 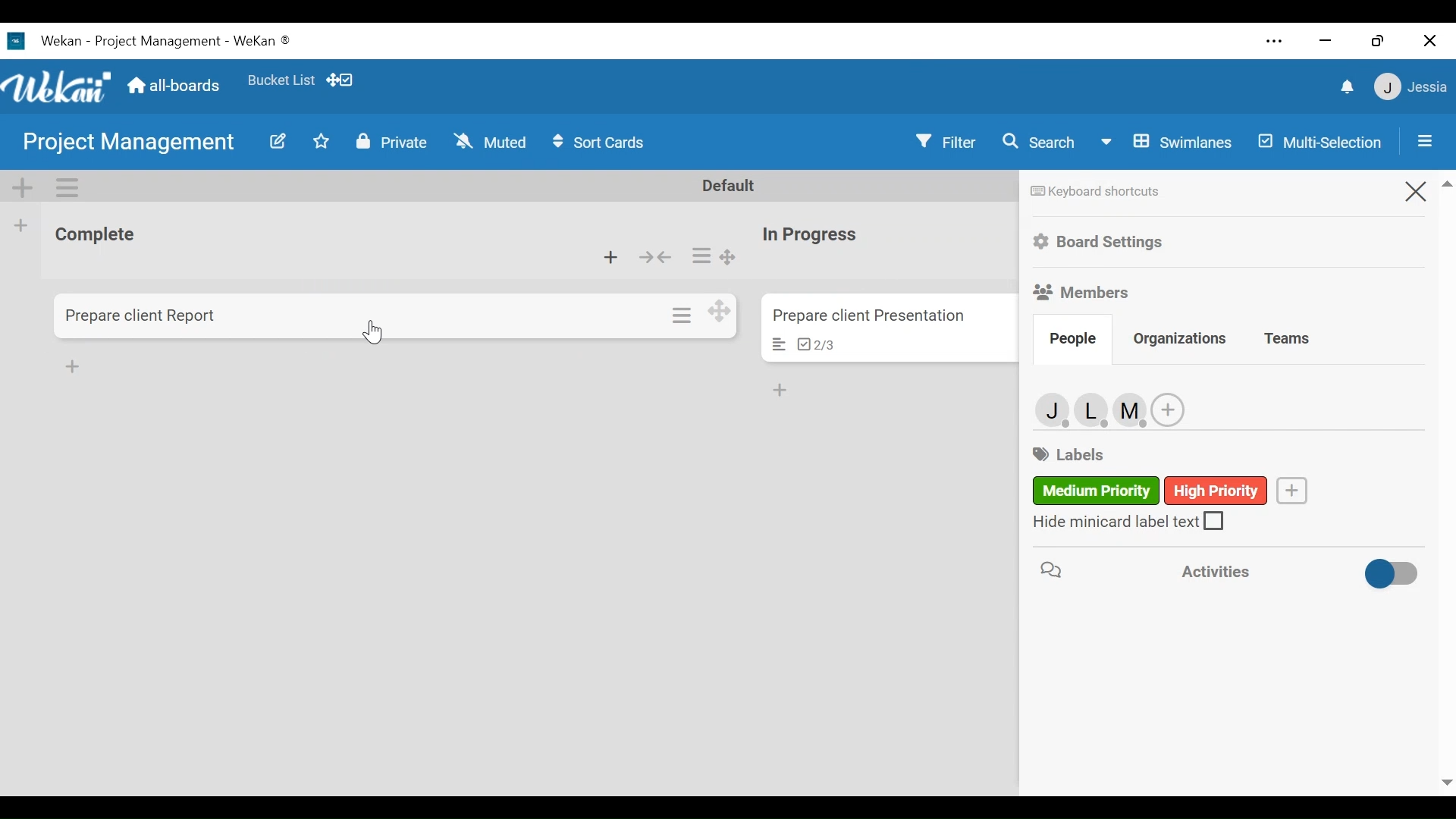 I want to click on Cursor, so click(x=378, y=334).